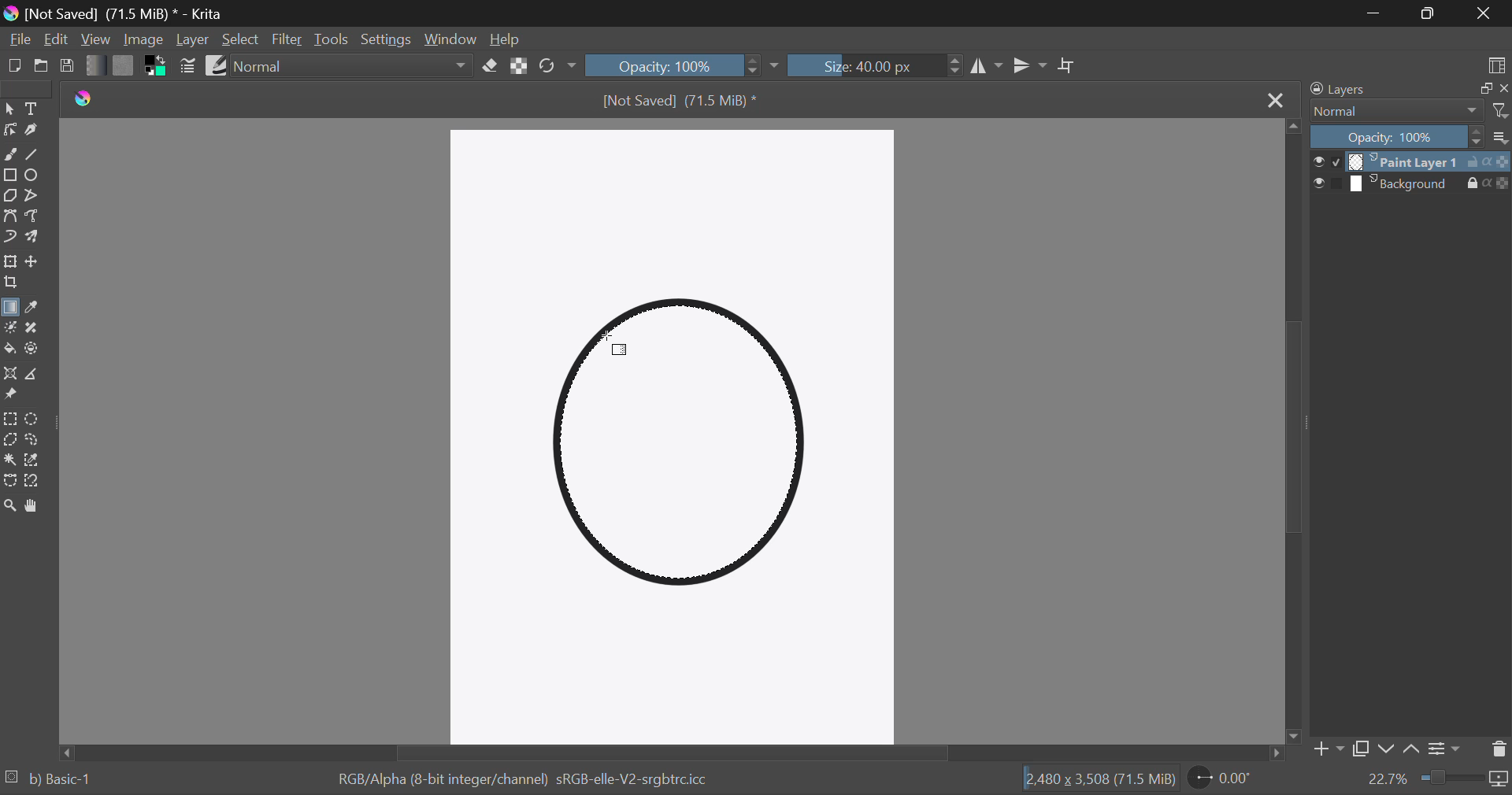  Describe the element at coordinates (1405, 162) in the screenshot. I see `layer 1` at that location.